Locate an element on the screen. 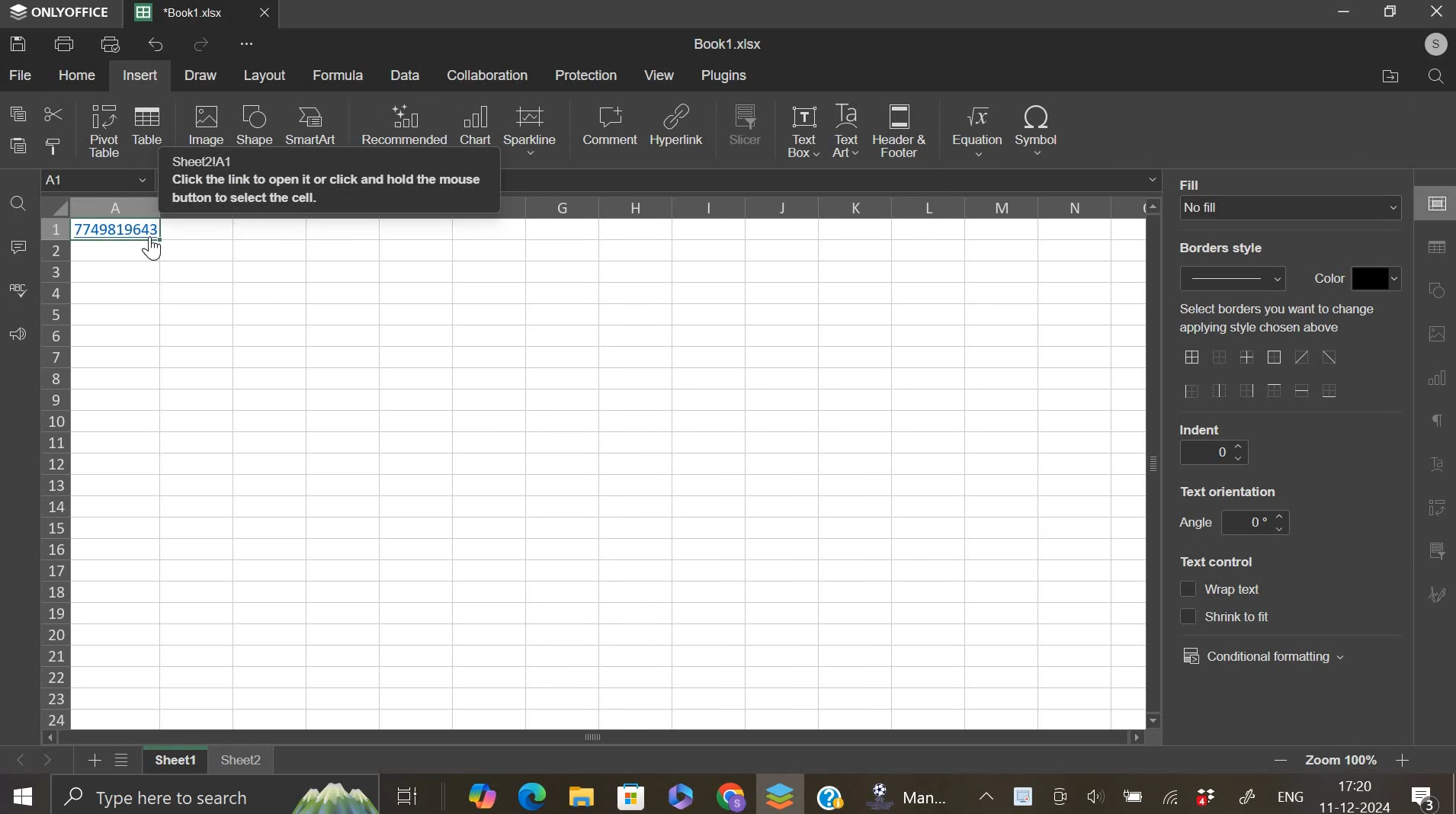 The width and height of the screenshot is (1456, 814). save is located at coordinates (18, 43).